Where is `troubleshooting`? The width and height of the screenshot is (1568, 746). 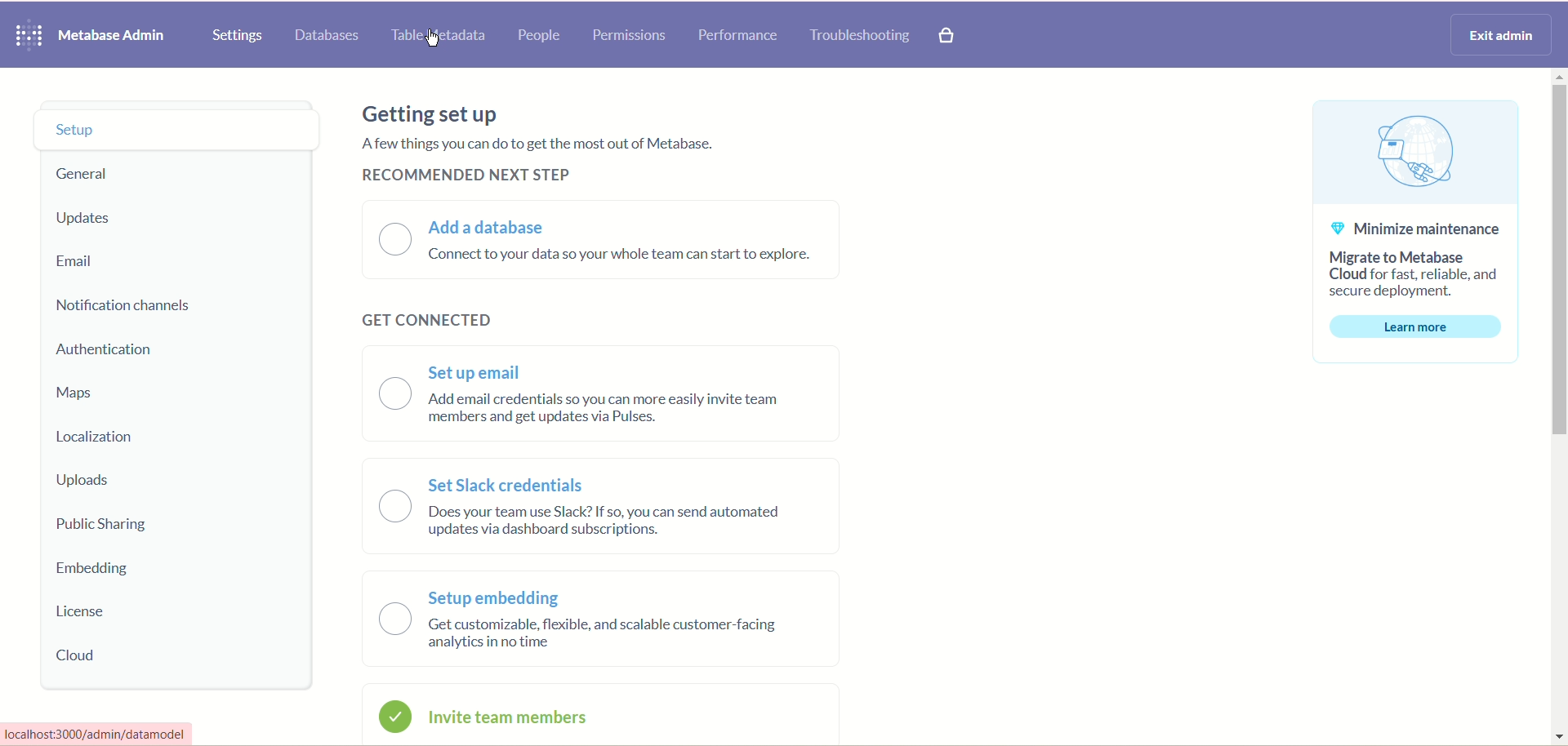
troubleshooting is located at coordinates (860, 35).